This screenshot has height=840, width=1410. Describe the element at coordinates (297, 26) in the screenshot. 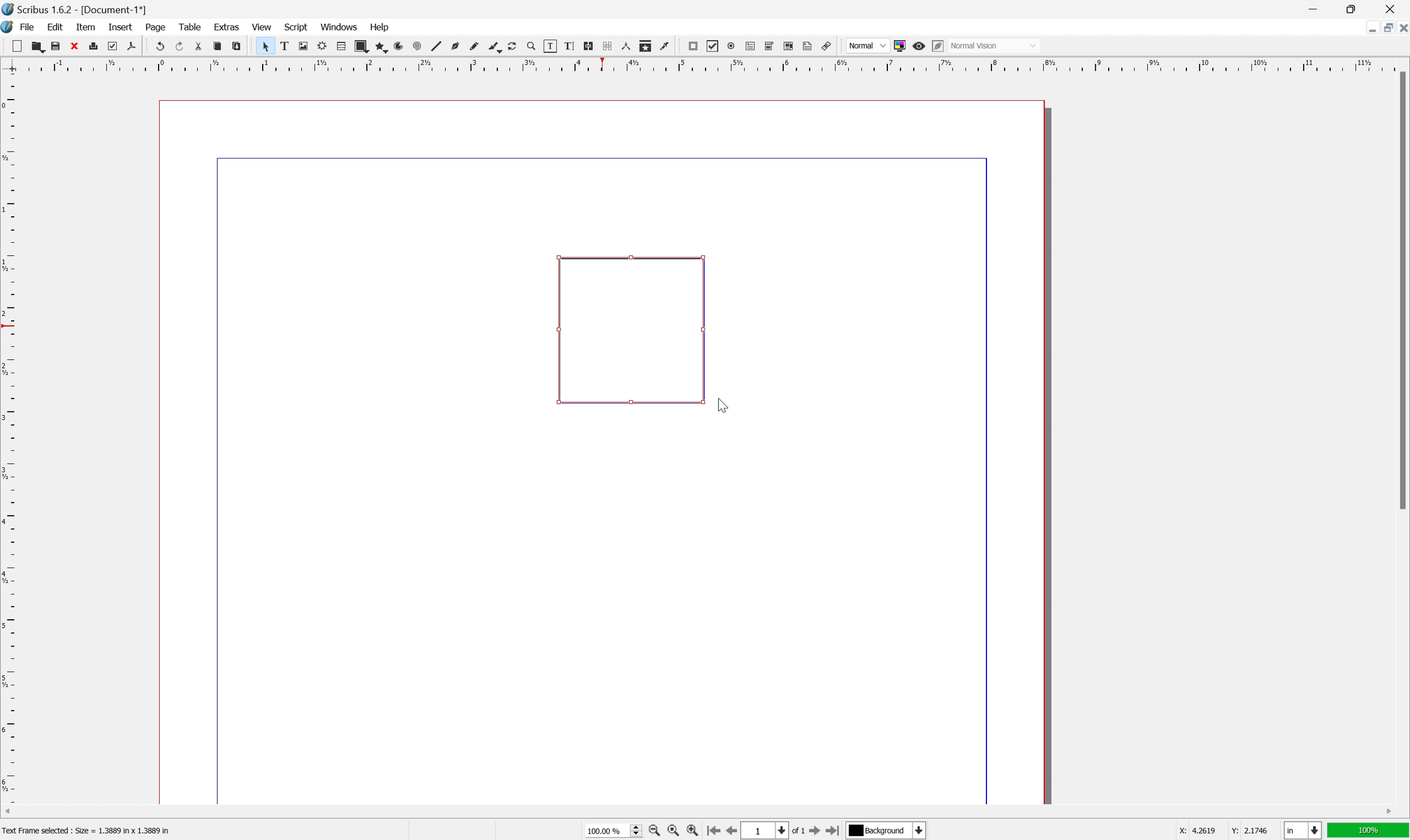

I see `Script` at that location.